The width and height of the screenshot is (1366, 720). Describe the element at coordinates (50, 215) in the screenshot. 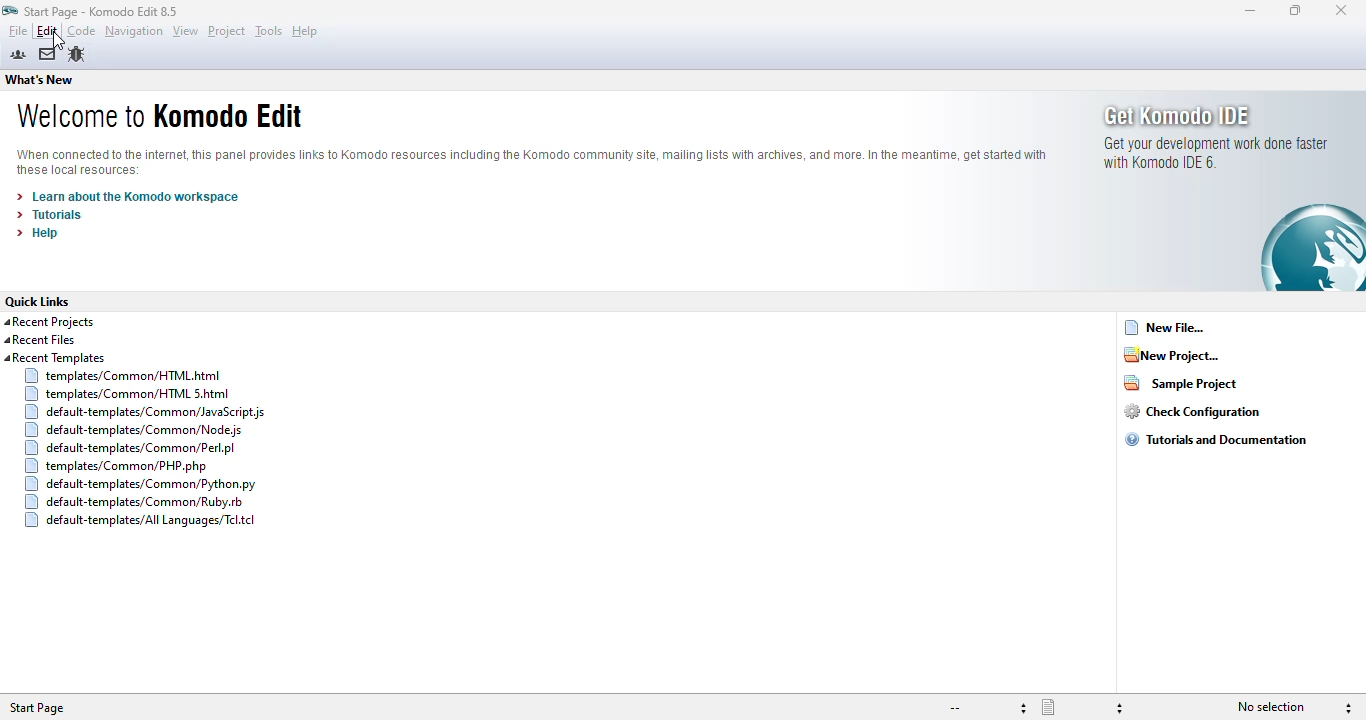

I see `tutorials` at that location.